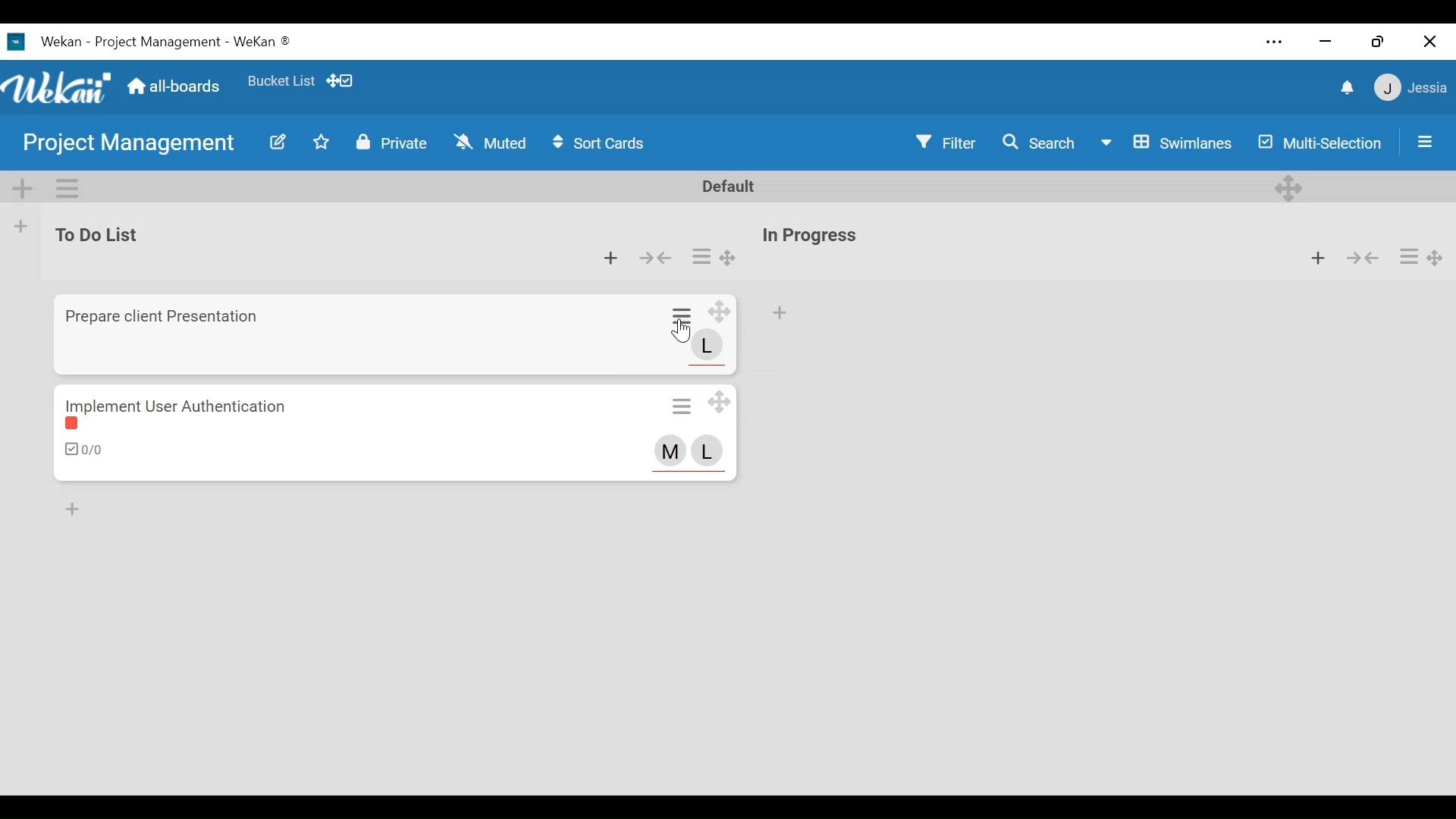  I want to click on card actions, so click(1410, 257).